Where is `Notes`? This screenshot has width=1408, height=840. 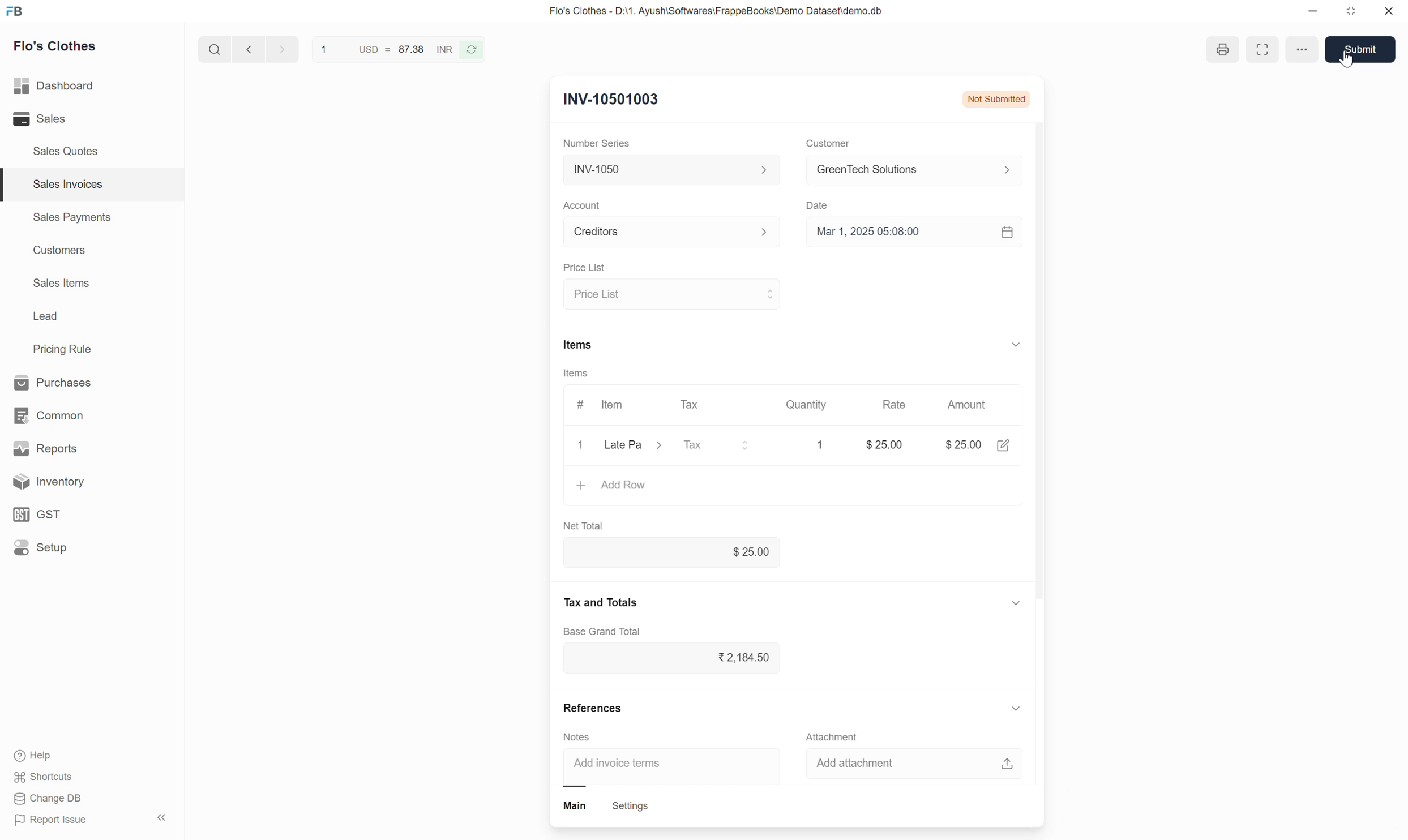 Notes is located at coordinates (581, 732).